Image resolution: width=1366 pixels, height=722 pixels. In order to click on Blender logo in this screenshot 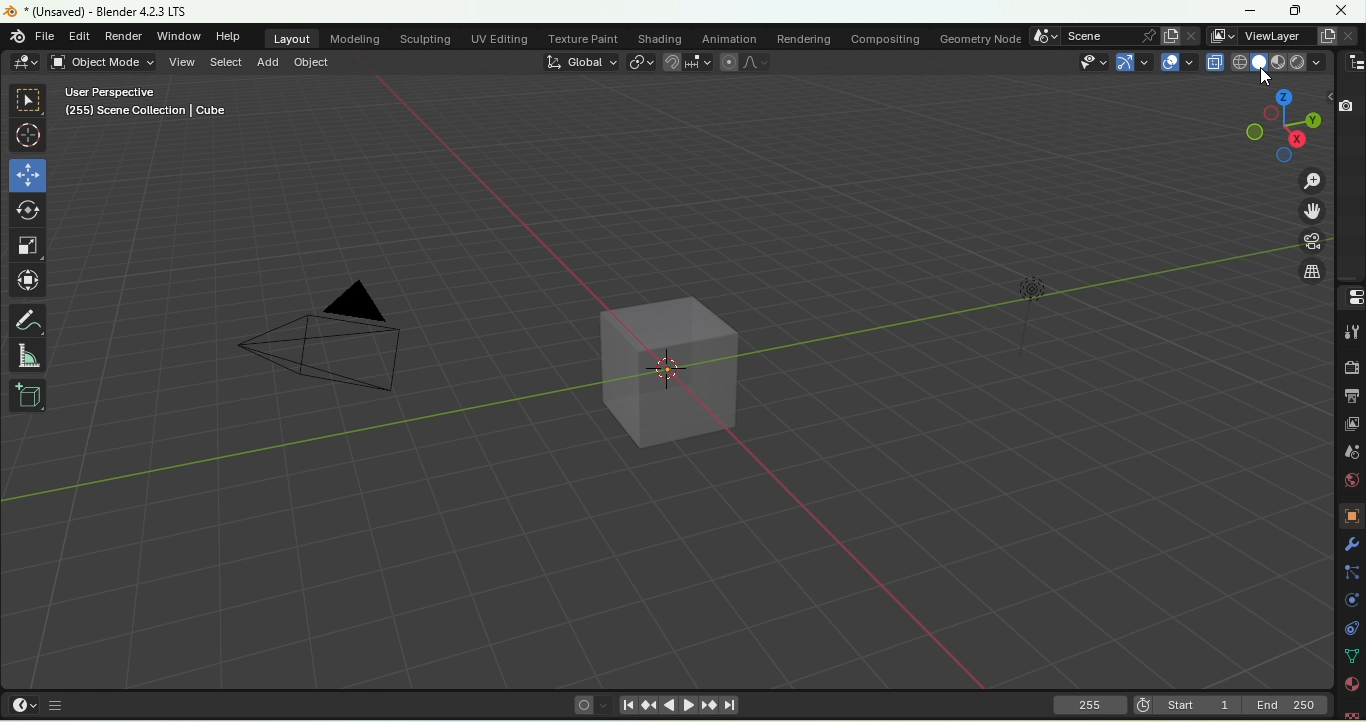, I will do `click(16, 37)`.